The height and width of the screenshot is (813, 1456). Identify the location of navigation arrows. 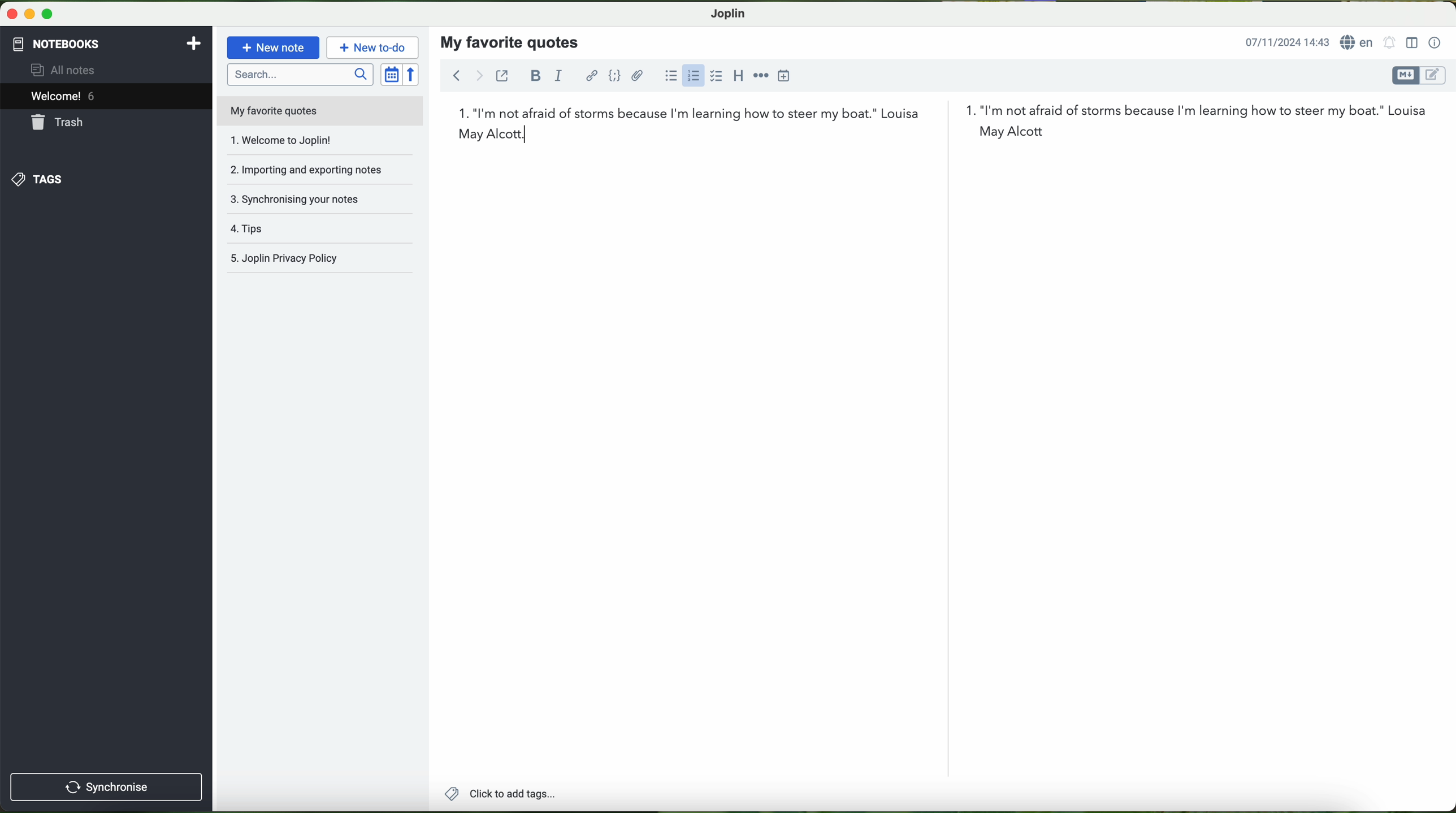
(463, 75).